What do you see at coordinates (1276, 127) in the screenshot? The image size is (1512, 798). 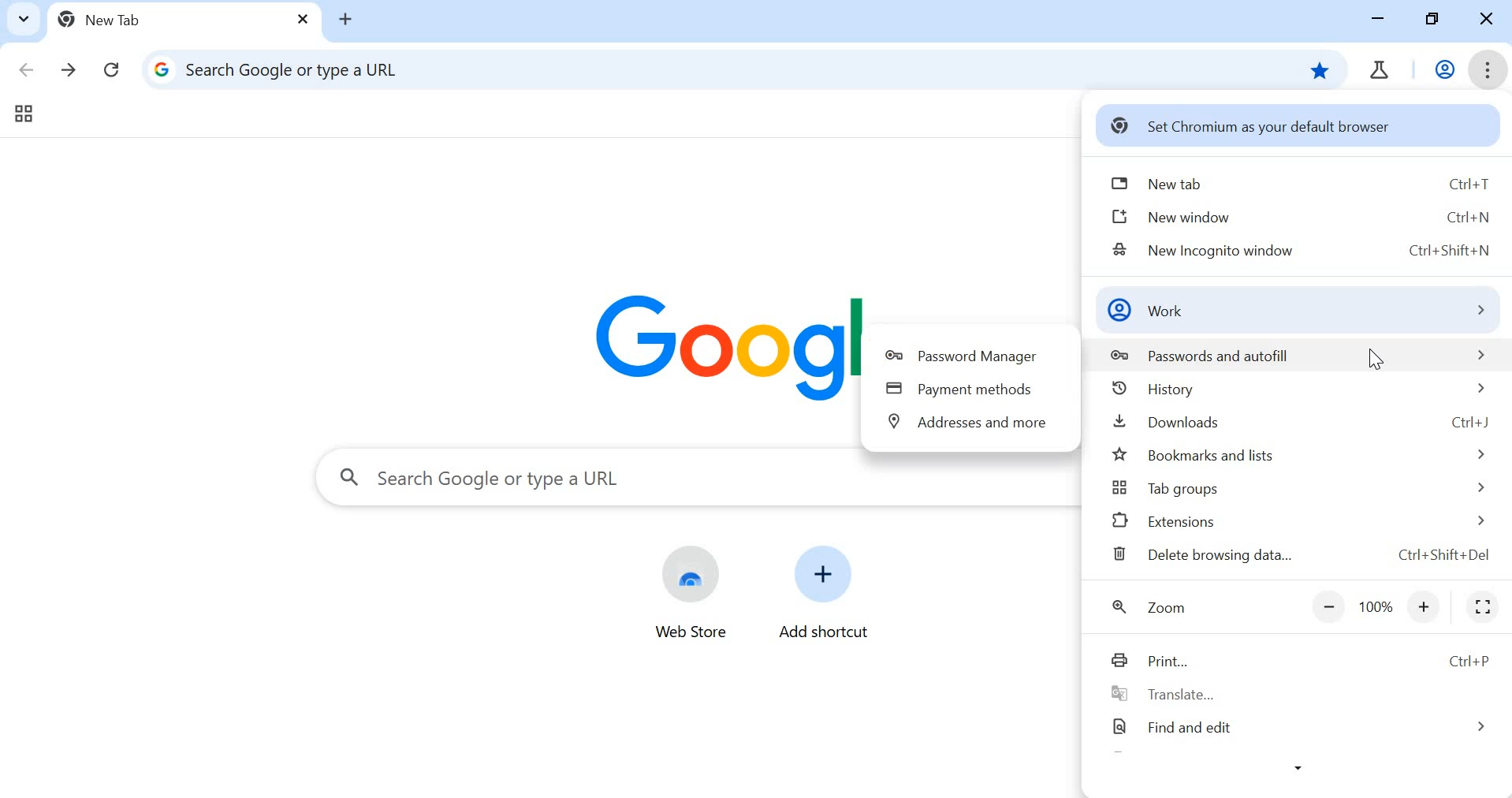 I see `set chromium as your default browser` at bounding box center [1276, 127].